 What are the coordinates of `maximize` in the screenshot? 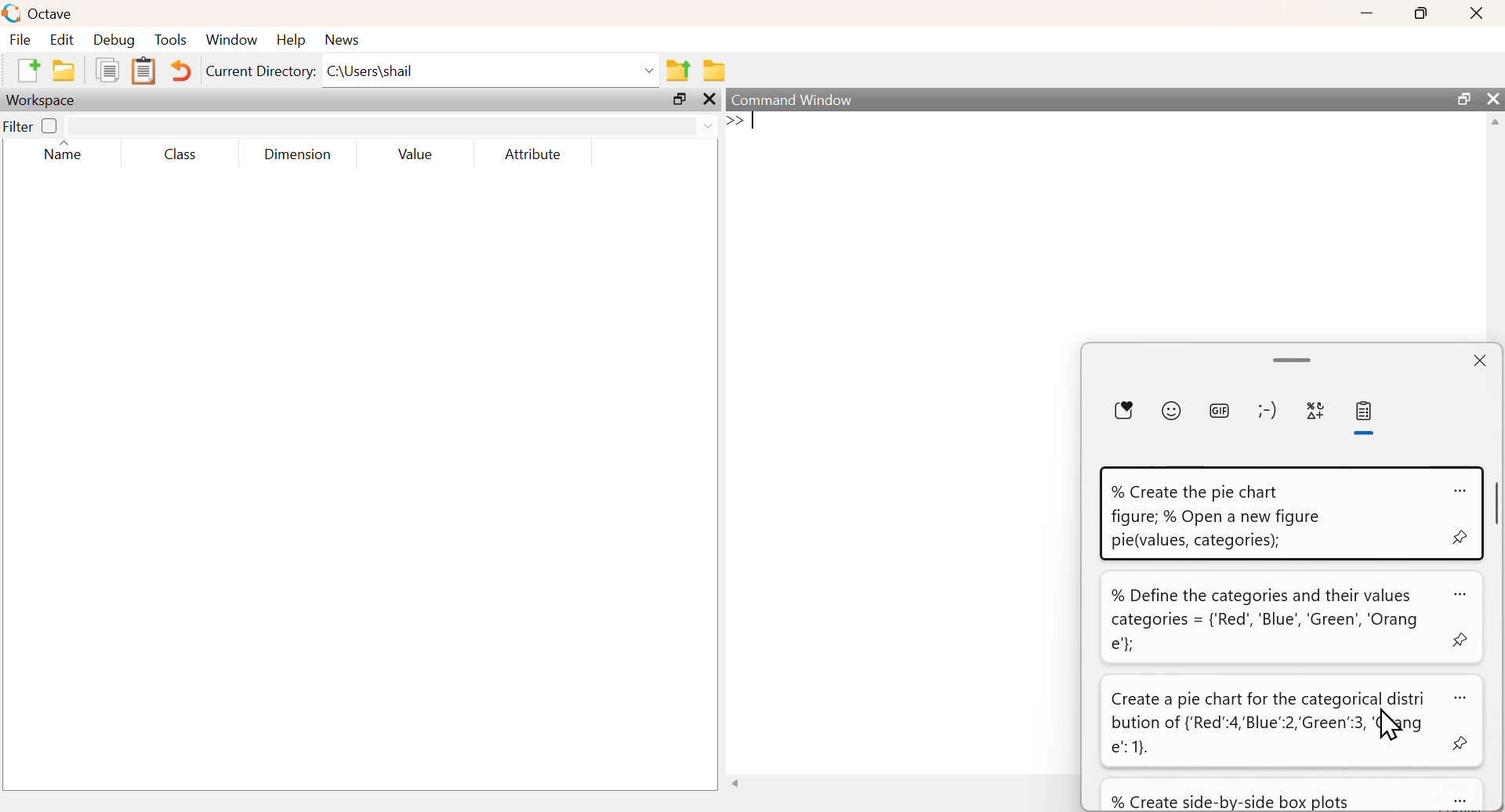 It's located at (1463, 97).